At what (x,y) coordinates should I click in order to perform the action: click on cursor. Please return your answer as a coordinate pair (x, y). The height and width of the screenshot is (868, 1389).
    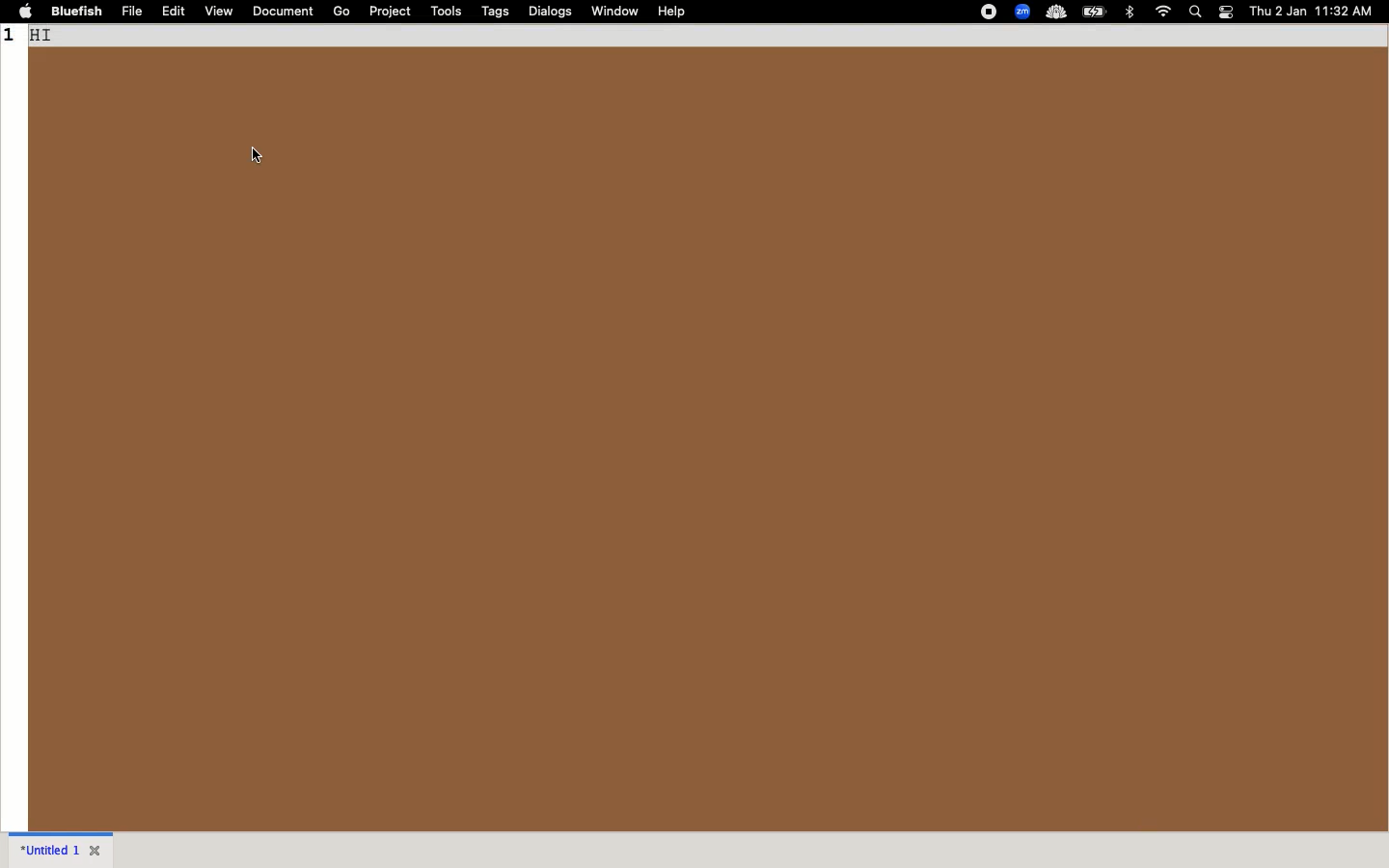
    Looking at the image, I should click on (256, 154).